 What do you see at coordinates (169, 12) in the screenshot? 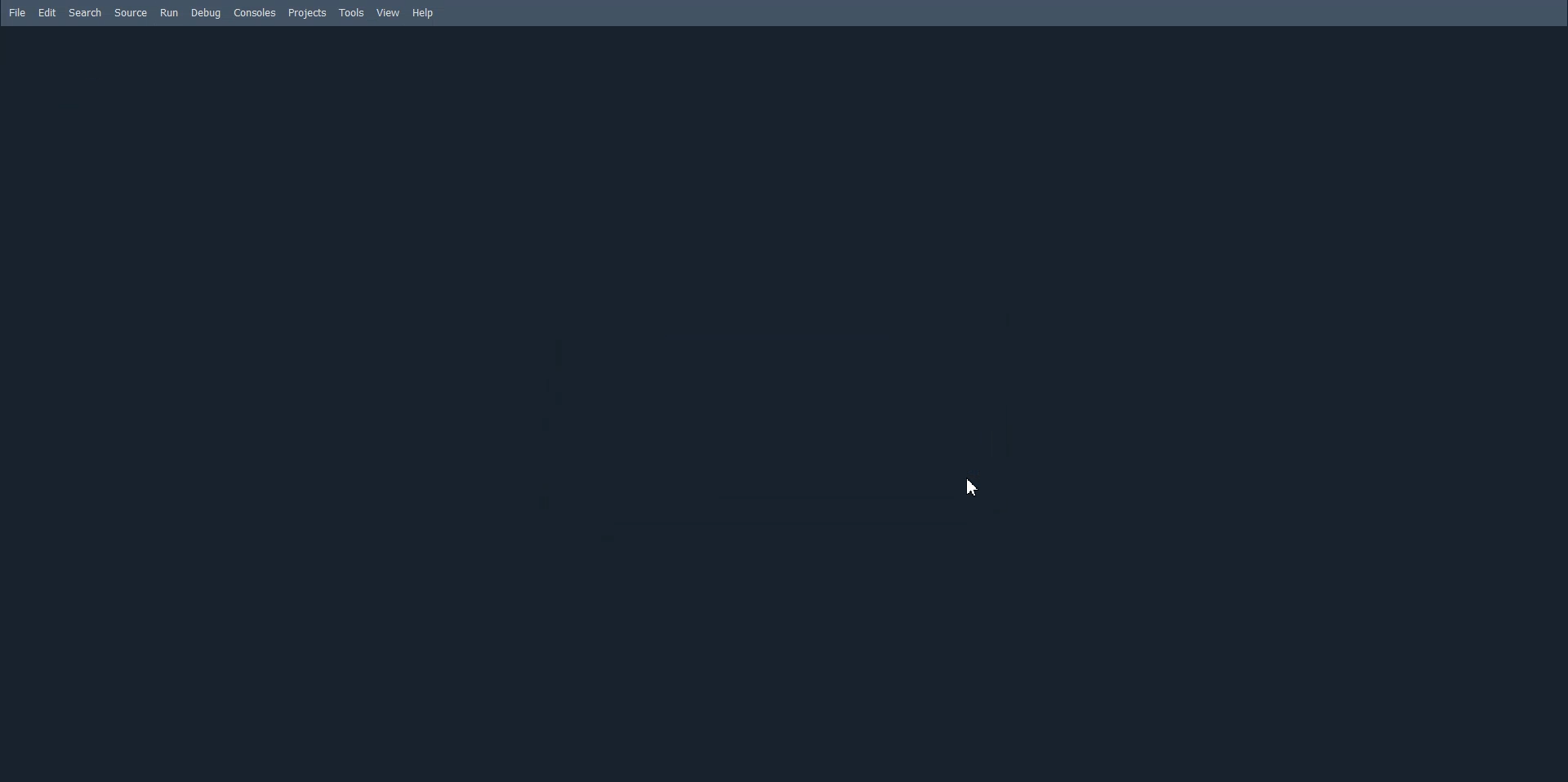
I see `Run` at bounding box center [169, 12].